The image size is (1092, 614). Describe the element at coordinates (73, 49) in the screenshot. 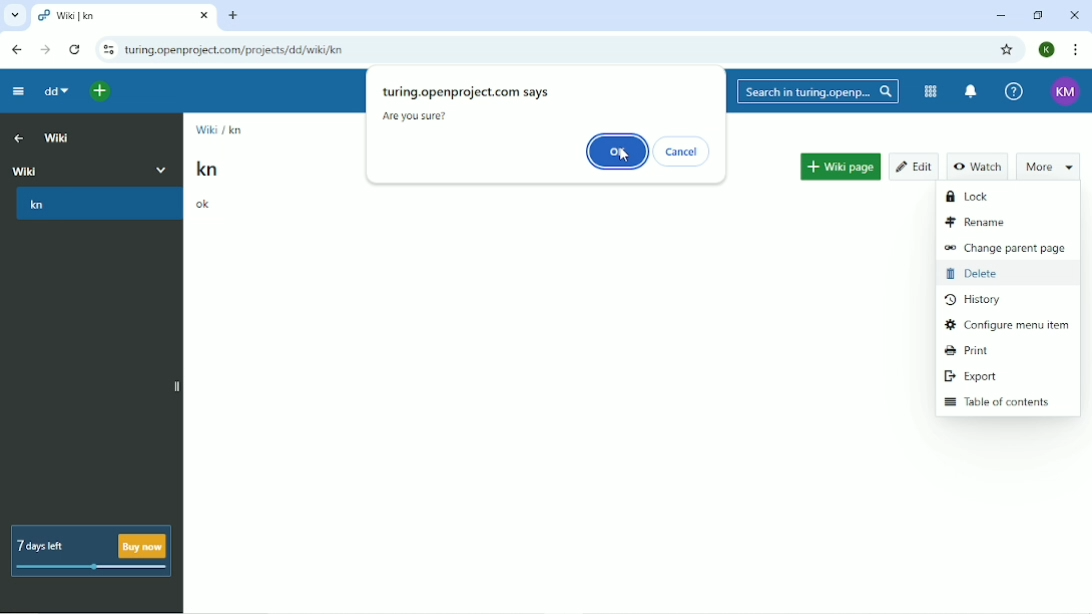

I see `Reload this page` at that location.